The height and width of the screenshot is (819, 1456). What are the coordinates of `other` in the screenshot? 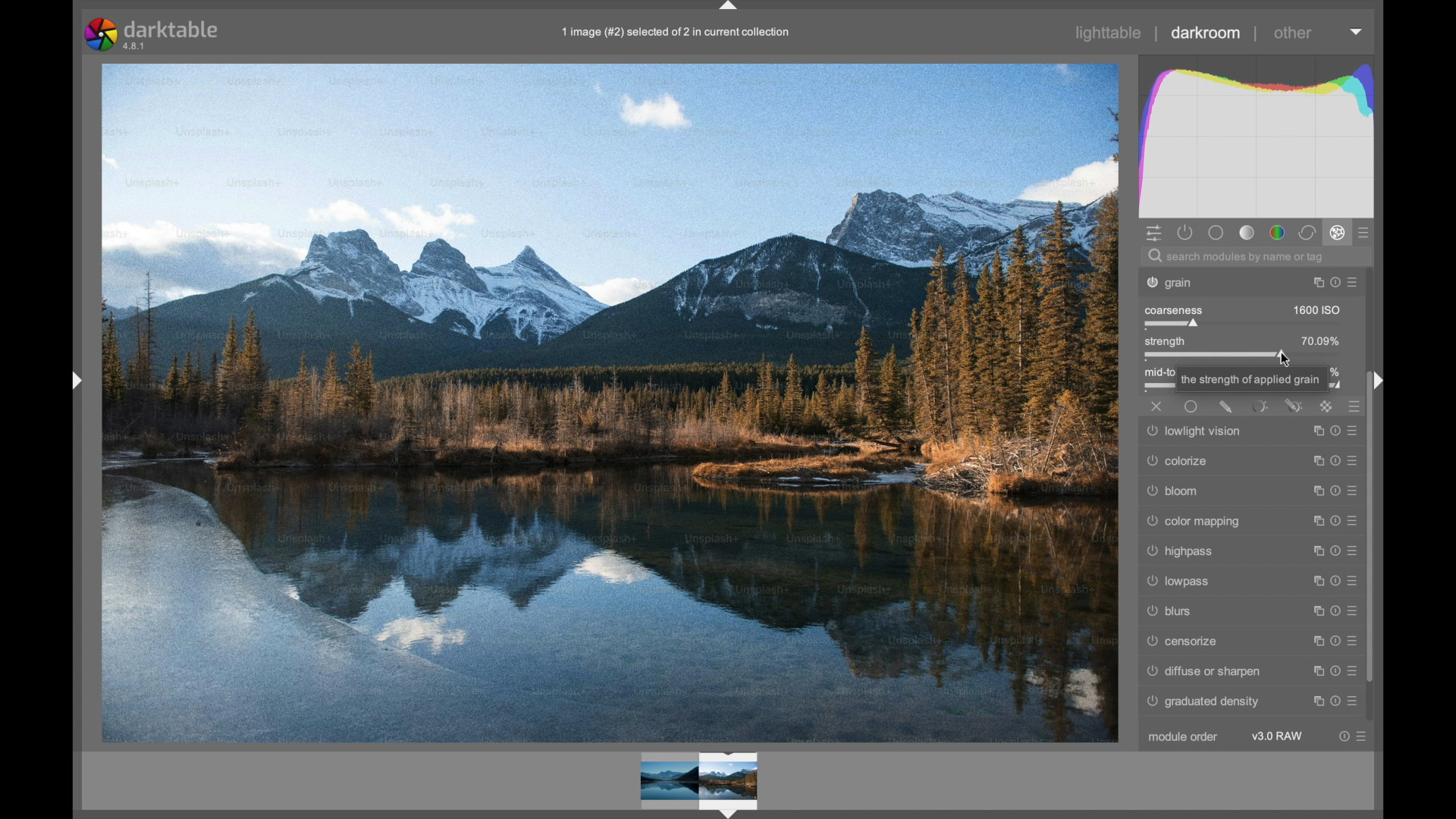 It's located at (1291, 33).